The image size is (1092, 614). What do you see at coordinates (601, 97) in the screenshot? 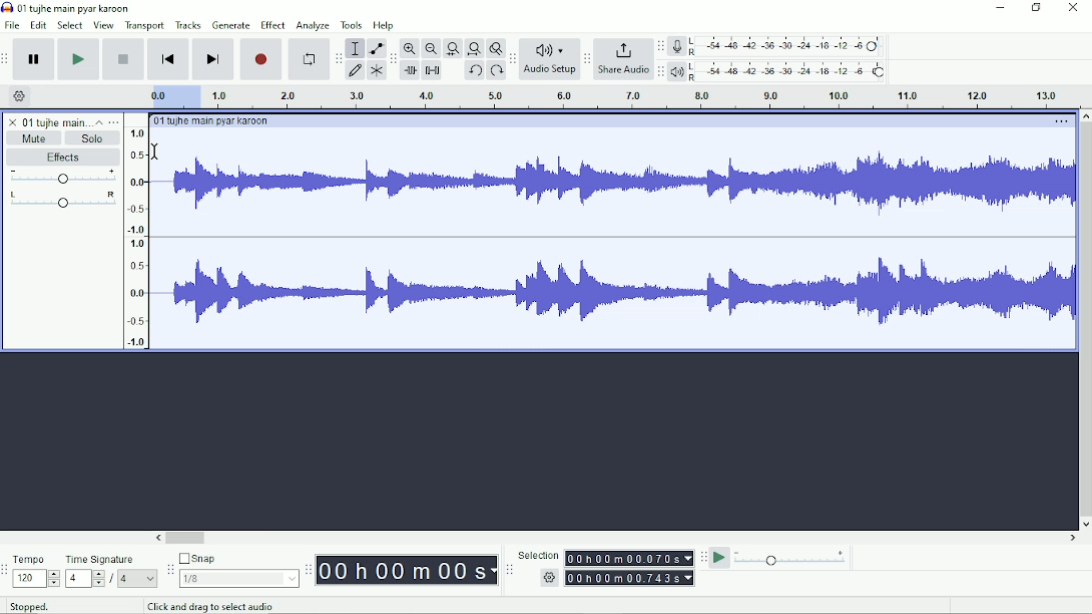
I see `Play duration` at bounding box center [601, 97].